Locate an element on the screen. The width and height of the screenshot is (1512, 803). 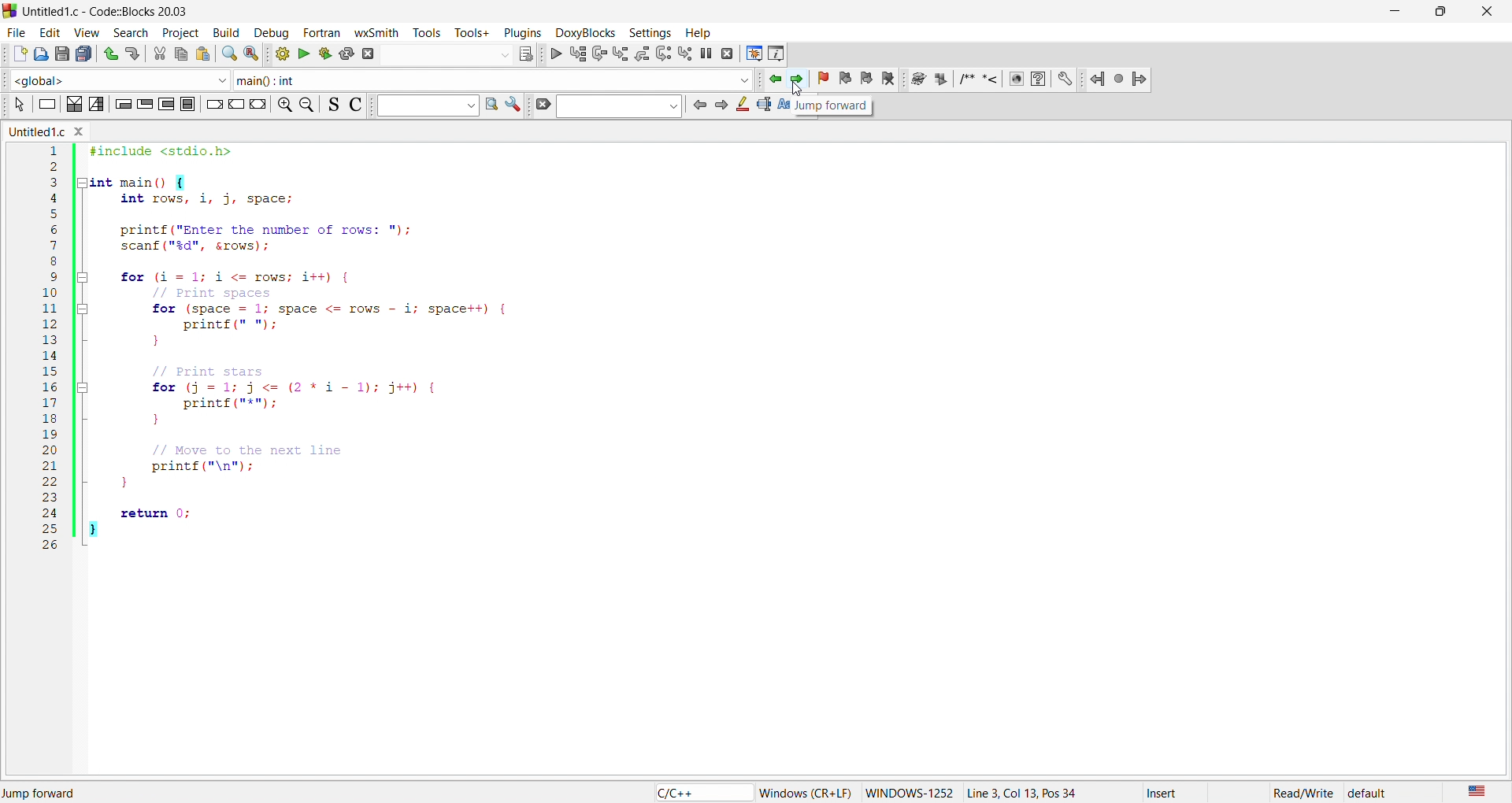
icon is located at coordinates (741, 105).